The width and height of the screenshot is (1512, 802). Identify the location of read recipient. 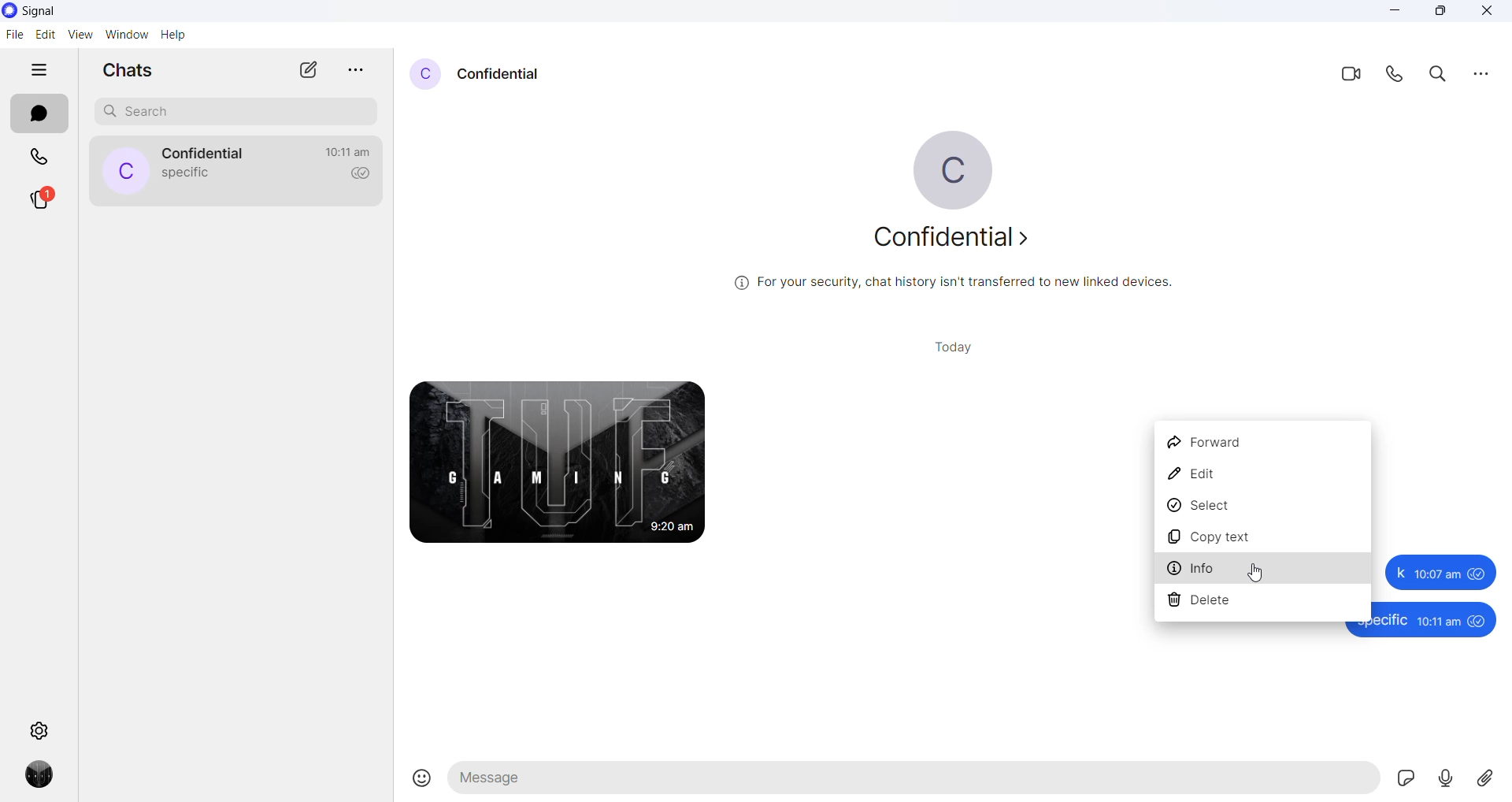
(362, 173).